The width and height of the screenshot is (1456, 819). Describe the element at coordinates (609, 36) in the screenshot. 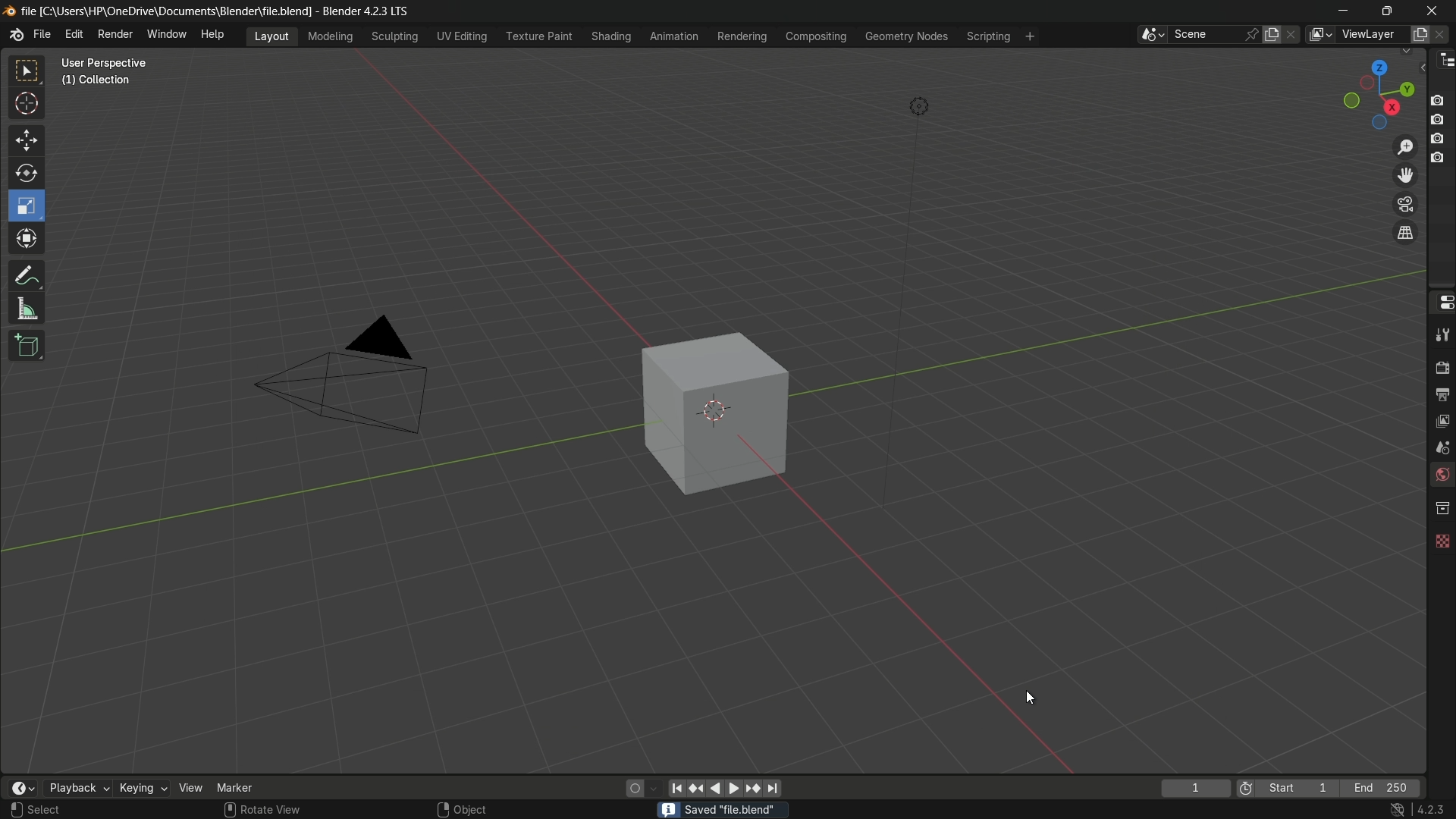

I see `shading menu` at that location.